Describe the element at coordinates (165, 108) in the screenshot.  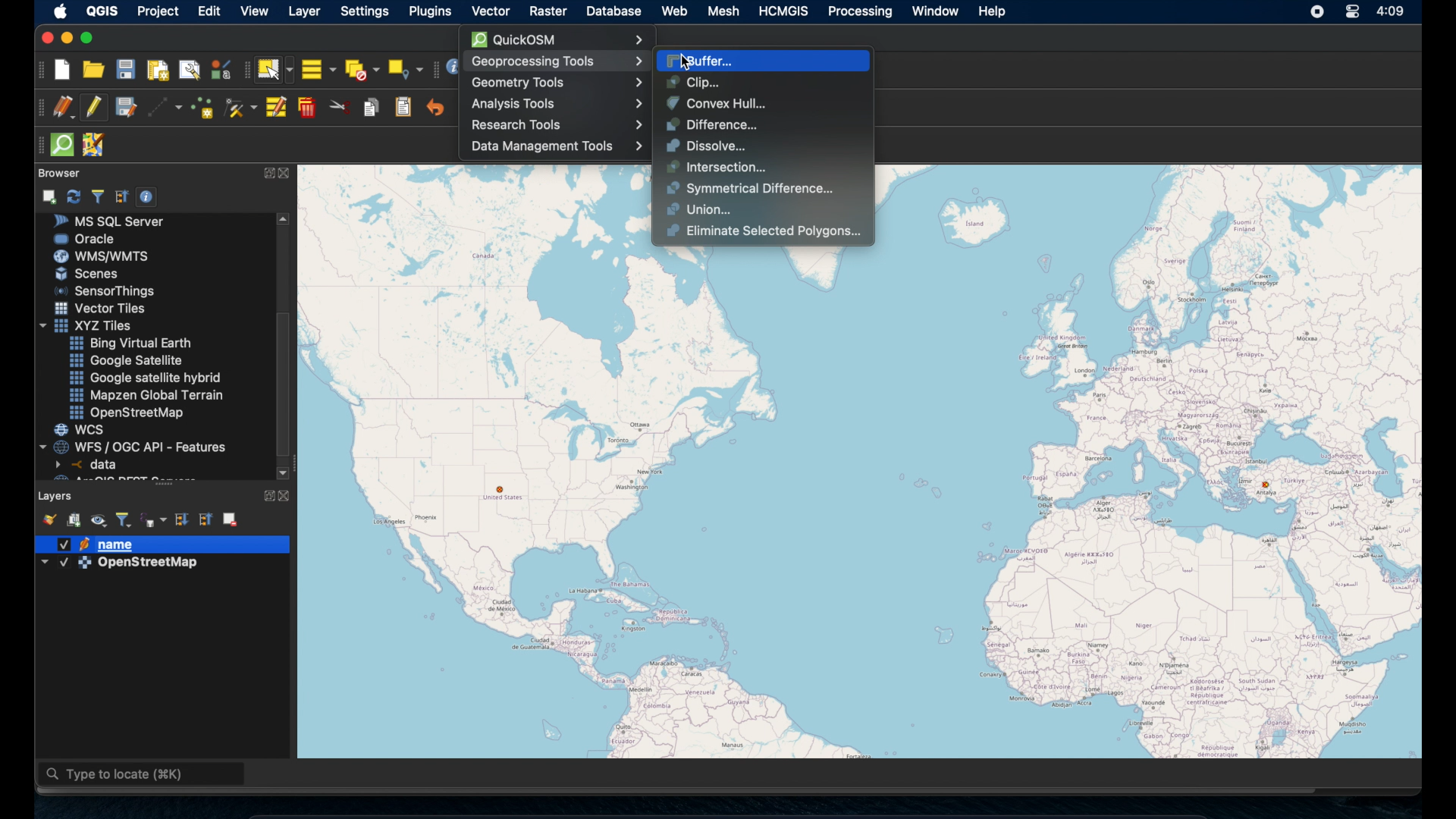
I see `digitize with segment` at that location.